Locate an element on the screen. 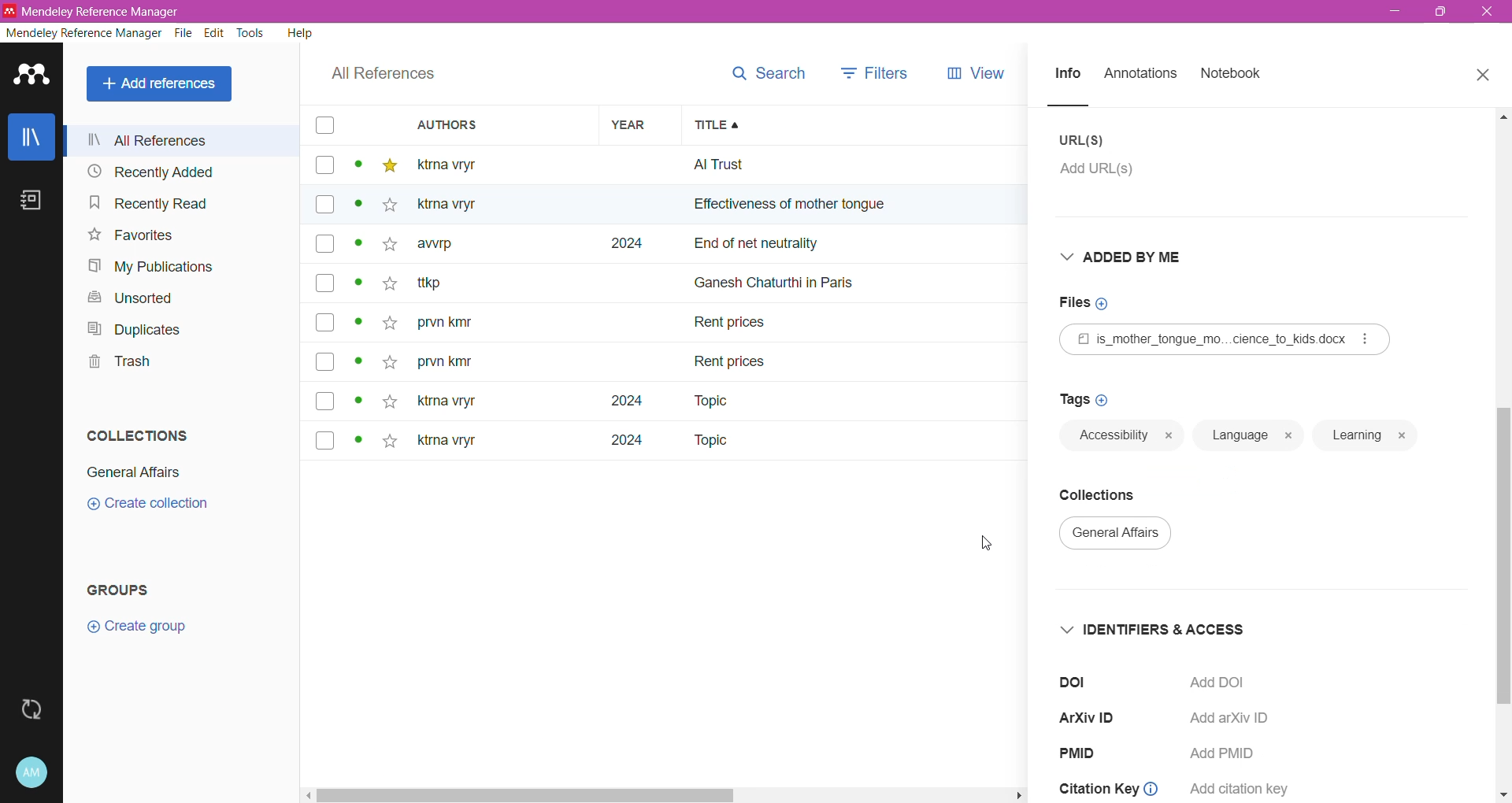  Topic is located at coordinates (700, 401).